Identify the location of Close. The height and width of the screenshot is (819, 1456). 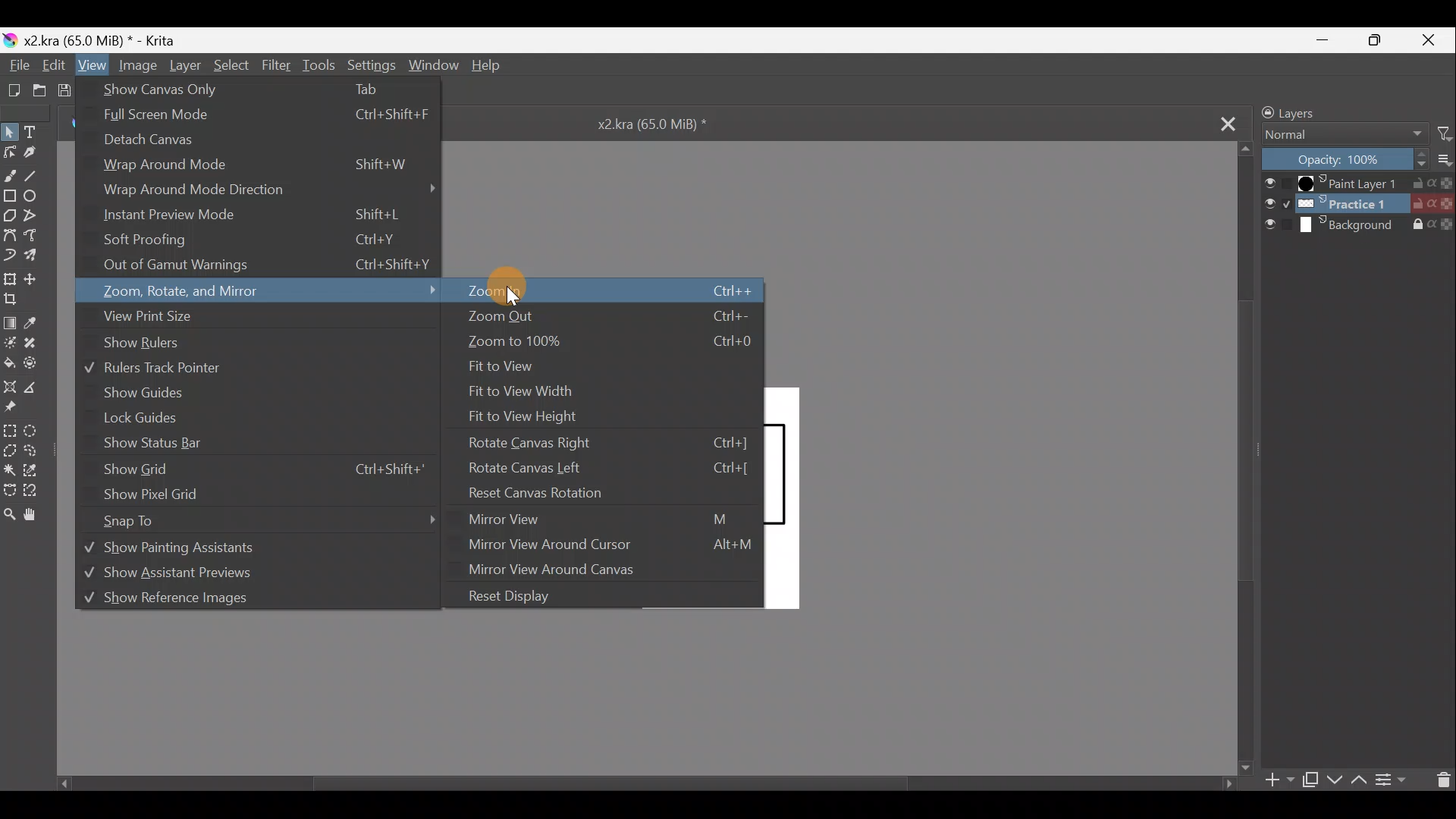
(1425, 40).